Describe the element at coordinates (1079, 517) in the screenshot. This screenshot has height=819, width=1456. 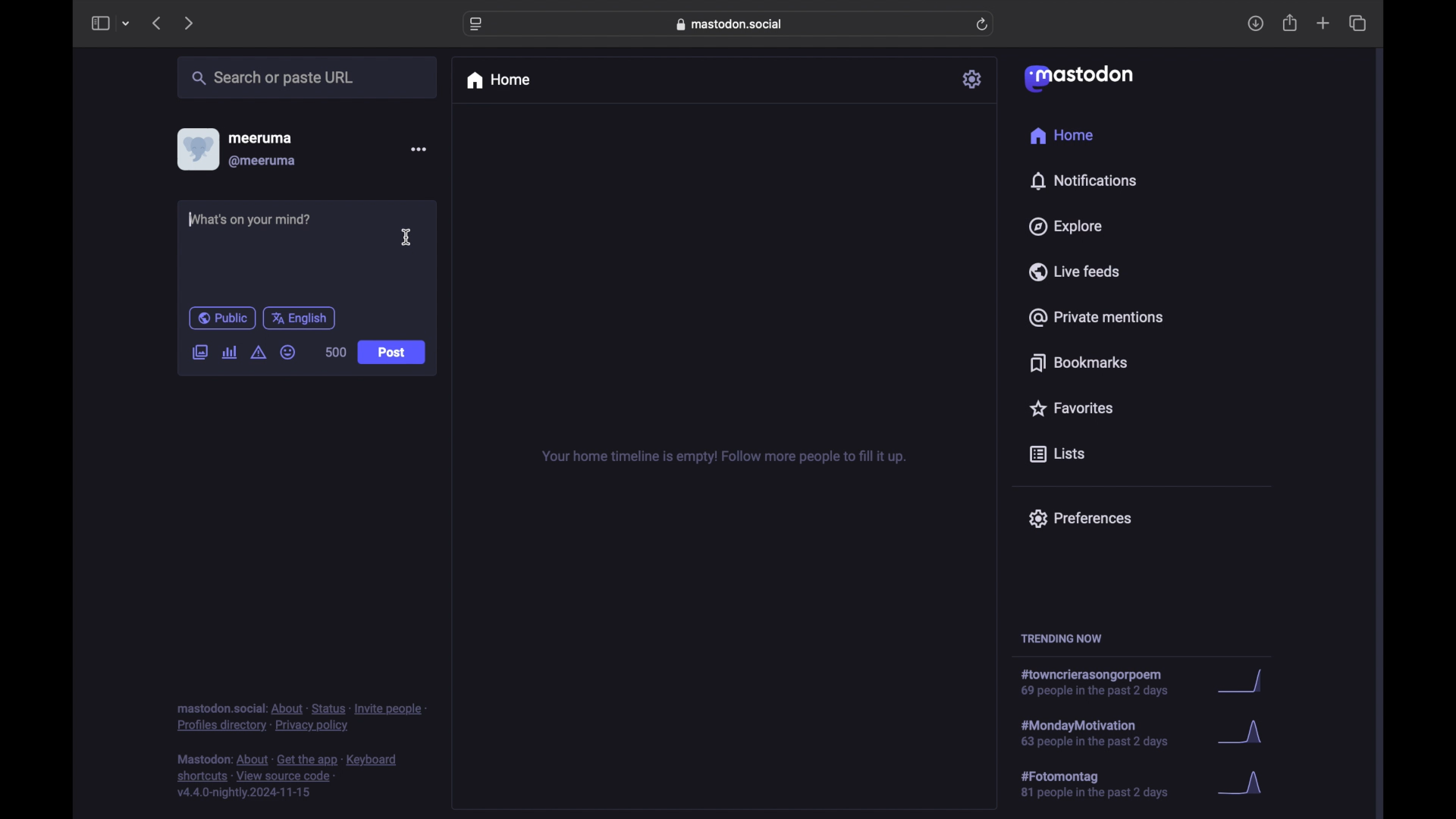
I see `preferences` at that location.